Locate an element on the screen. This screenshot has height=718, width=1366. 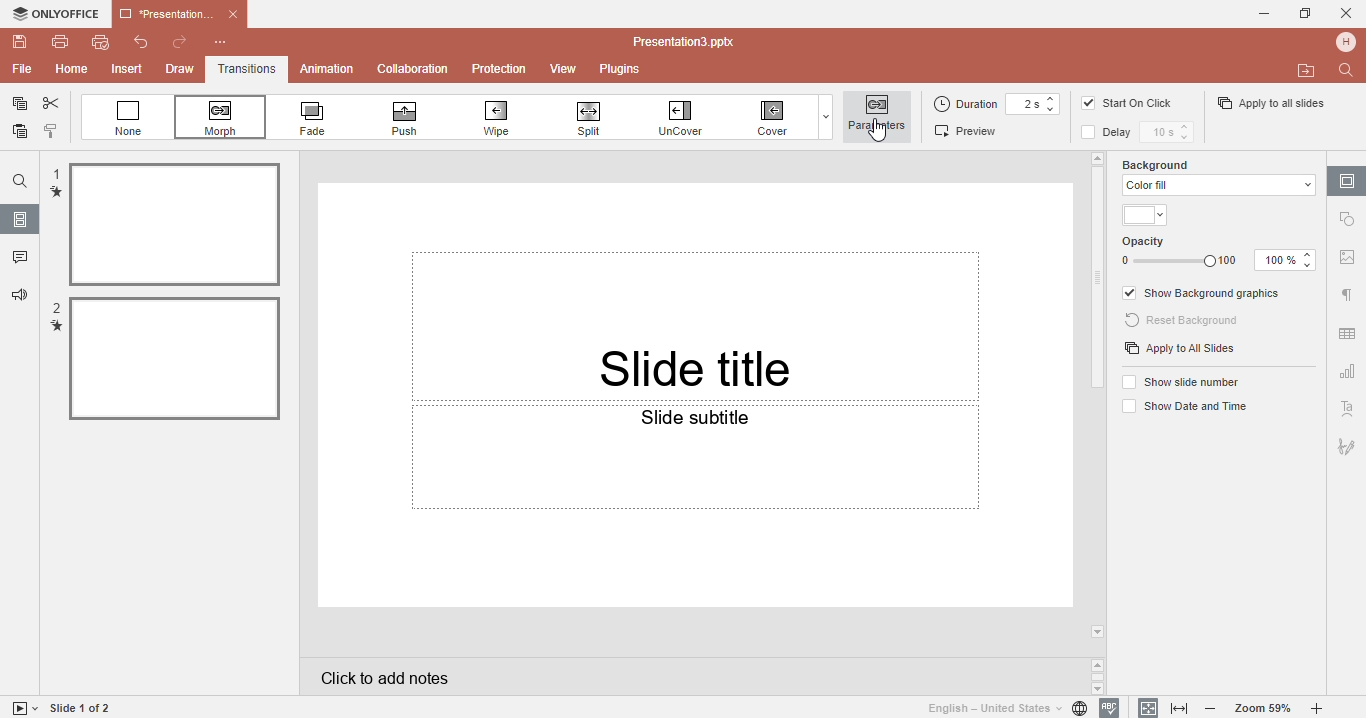
Print file is located at coordinates (60, 41).